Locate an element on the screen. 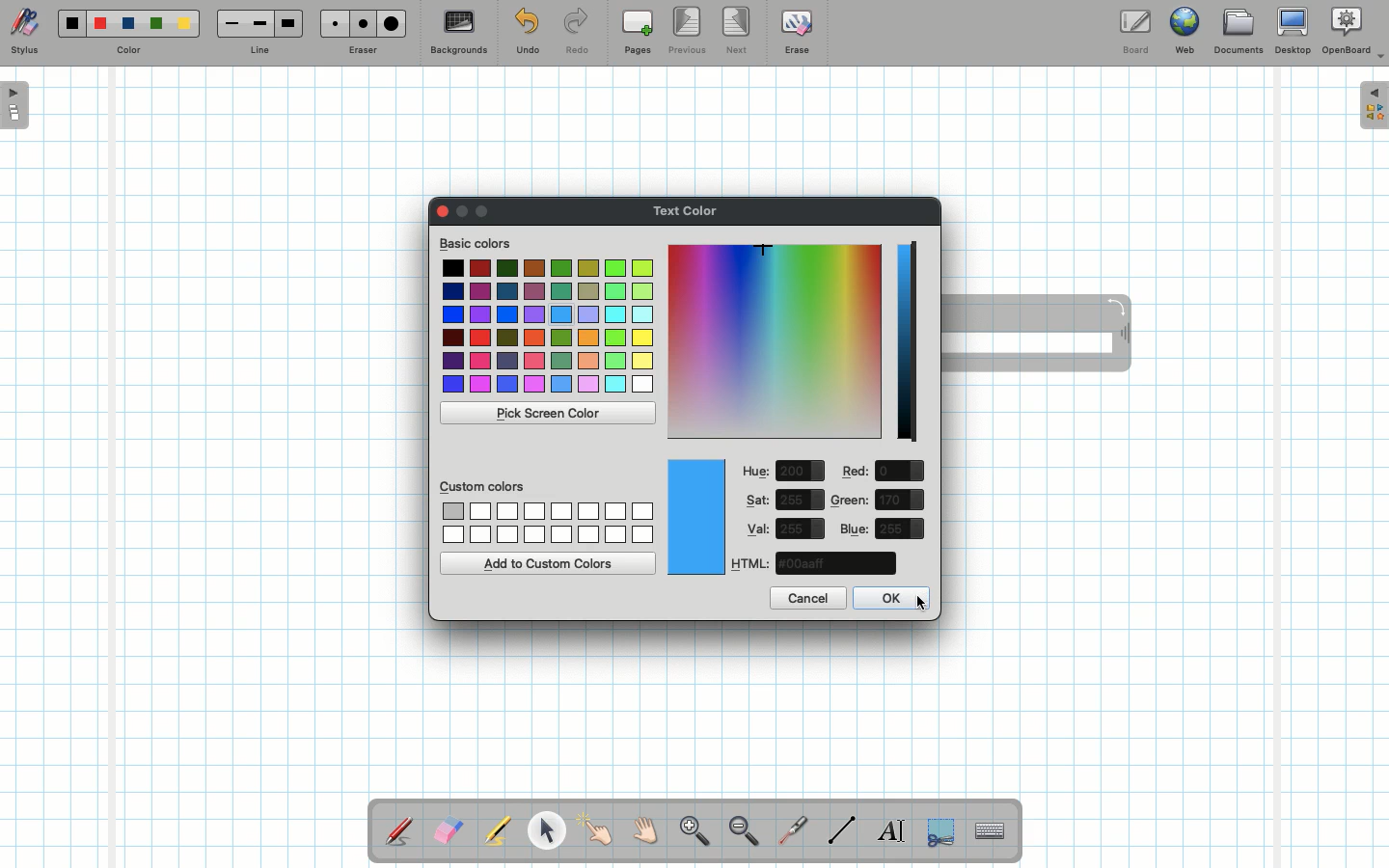  Open pages is located at coordinates (16, 104).